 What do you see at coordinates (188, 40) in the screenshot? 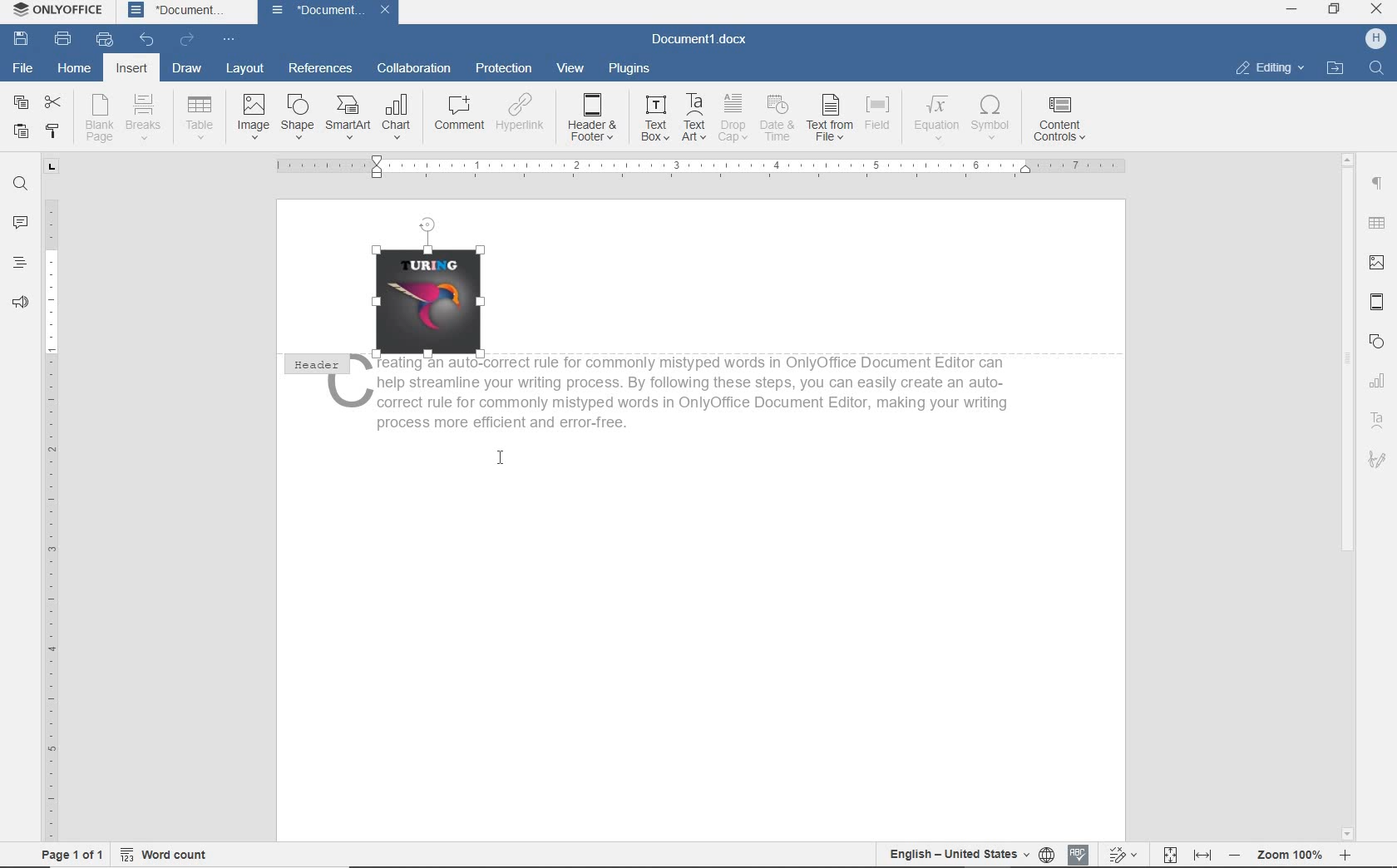
I see `REDO` at bounding box center [188, 40].